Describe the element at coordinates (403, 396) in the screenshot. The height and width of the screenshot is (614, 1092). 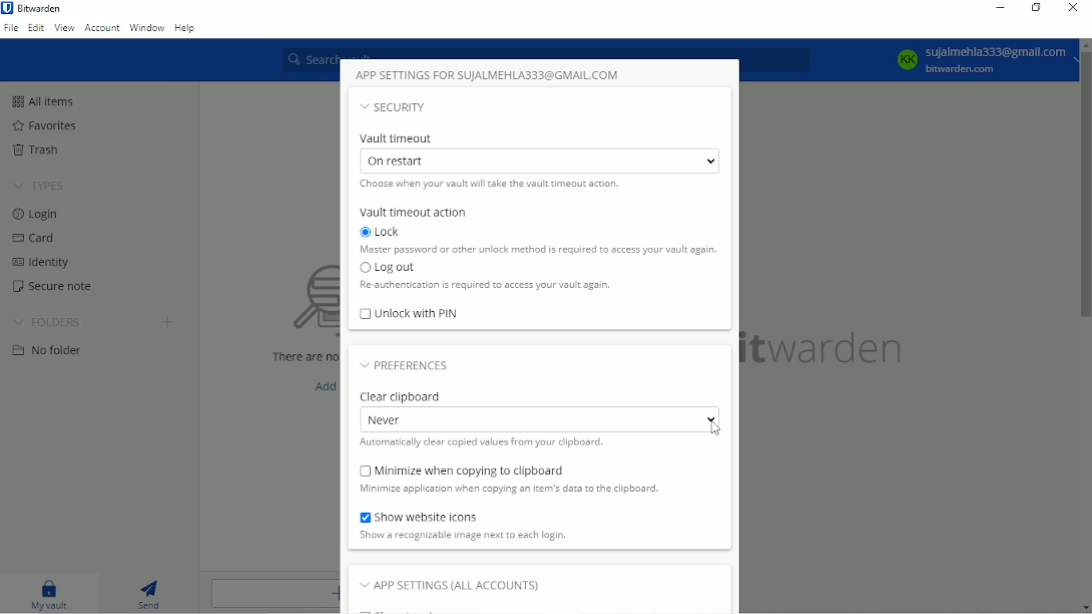
I see `Clear clipboard` at that location.